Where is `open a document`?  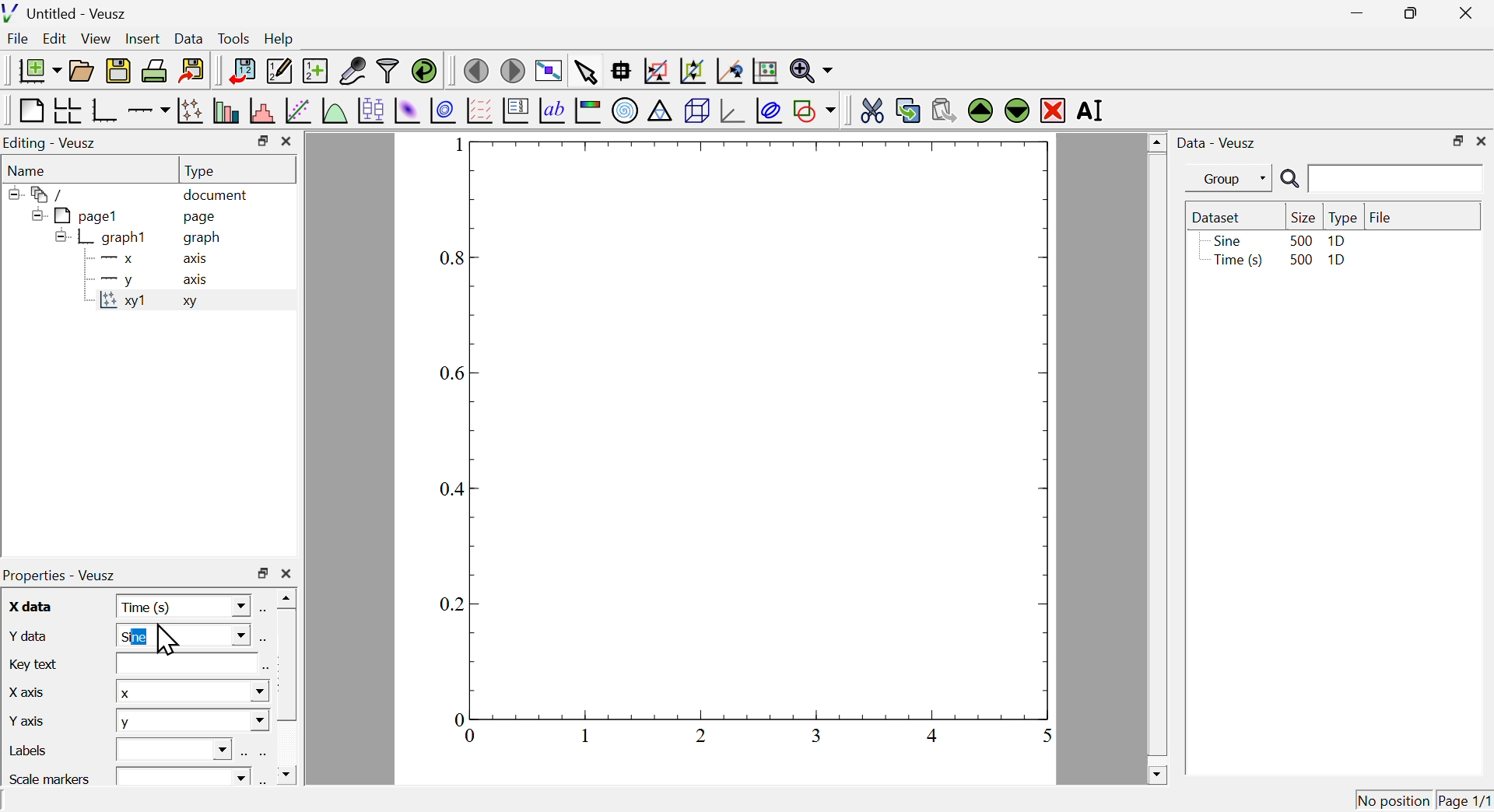
open a document is located at coordinates (83, 69).